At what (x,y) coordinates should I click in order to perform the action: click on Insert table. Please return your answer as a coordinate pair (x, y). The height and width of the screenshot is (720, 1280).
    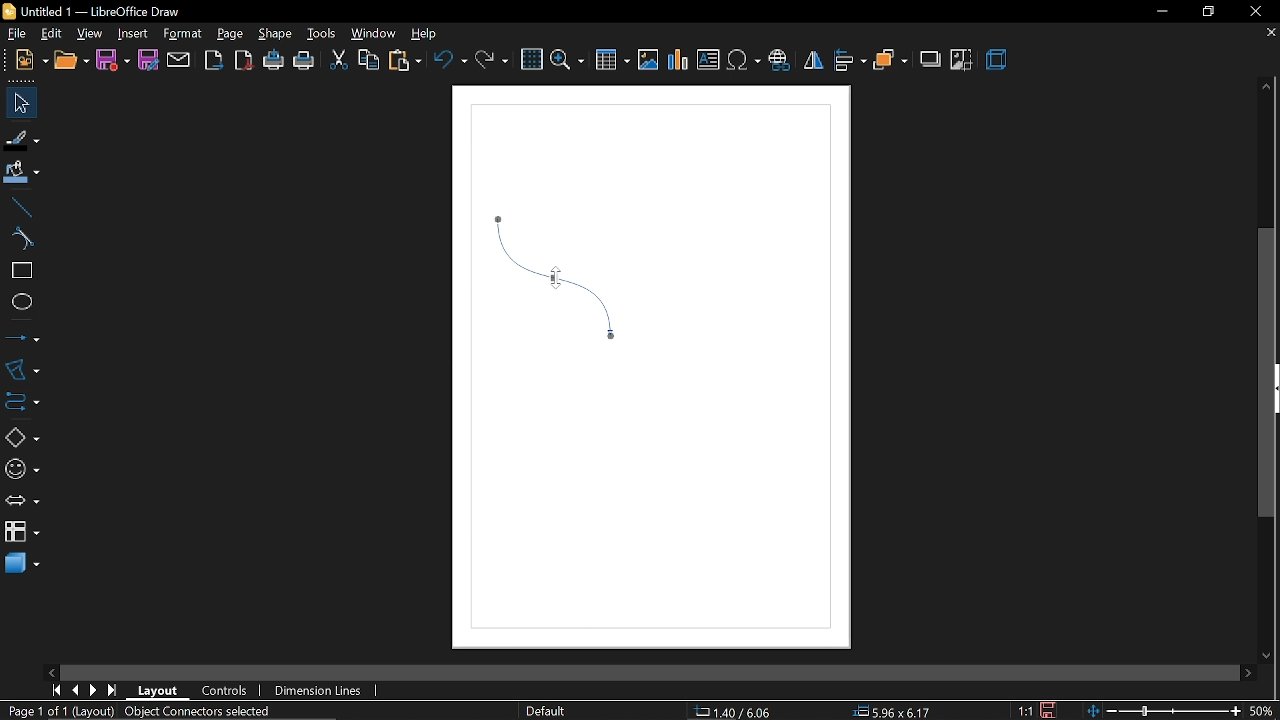
    Looking at the image, I should click on (614, 59).